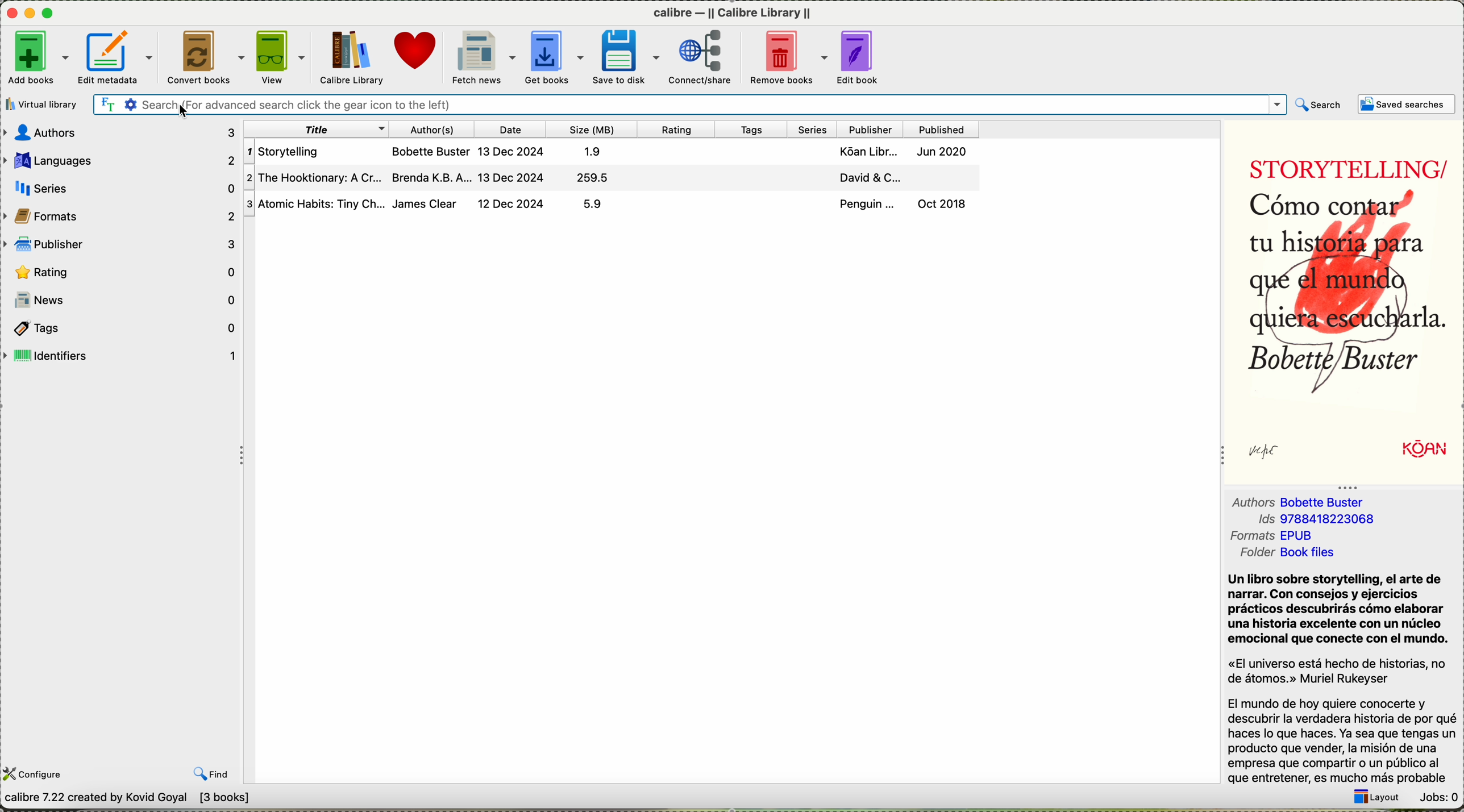 The width and height of the screenshot is (1464, 812). I want to click on saved searches, so click(1408, 104).